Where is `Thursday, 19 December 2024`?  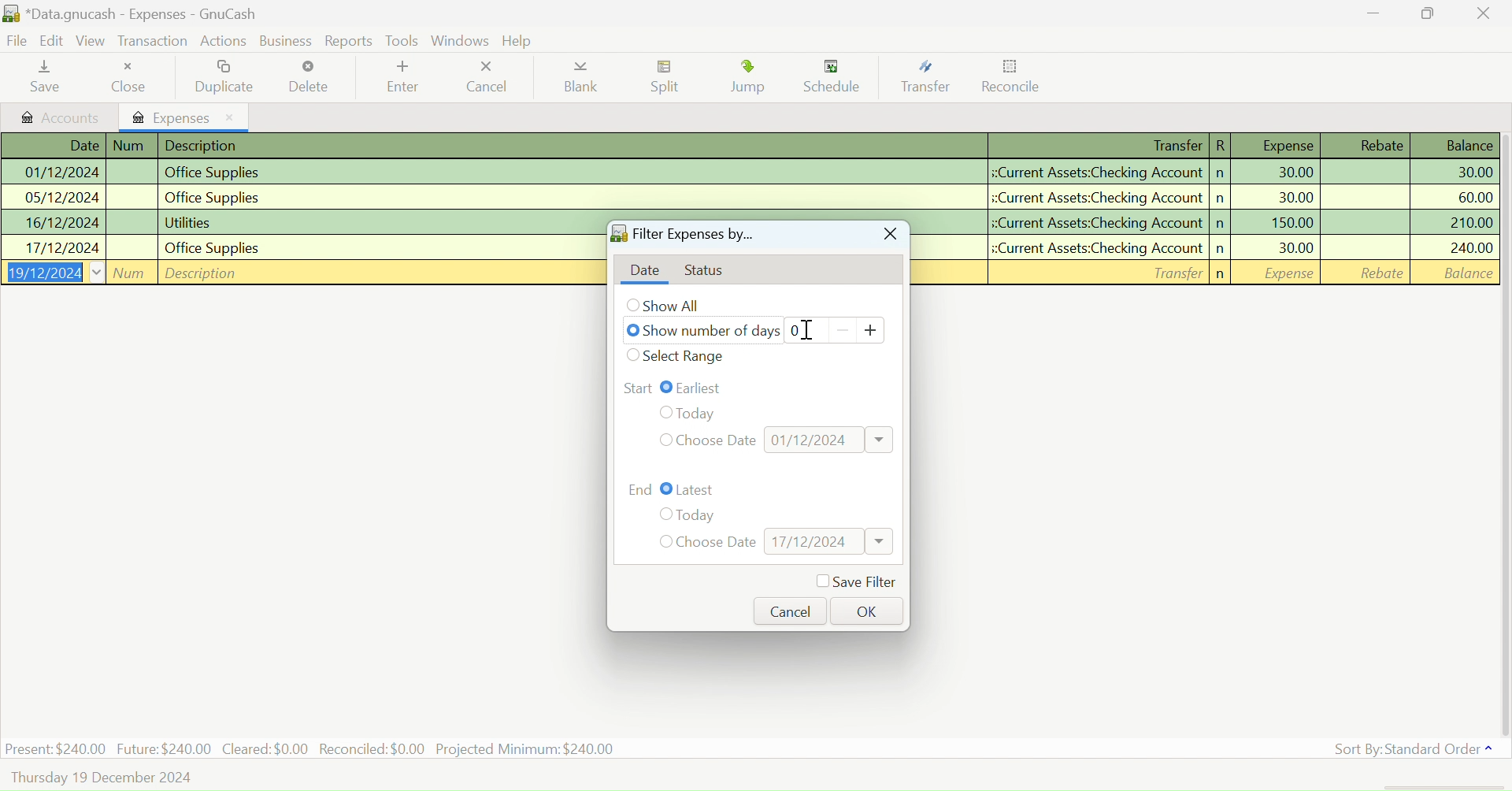
Thursday, 19 December 2024 is located at coordinates (103, 778).